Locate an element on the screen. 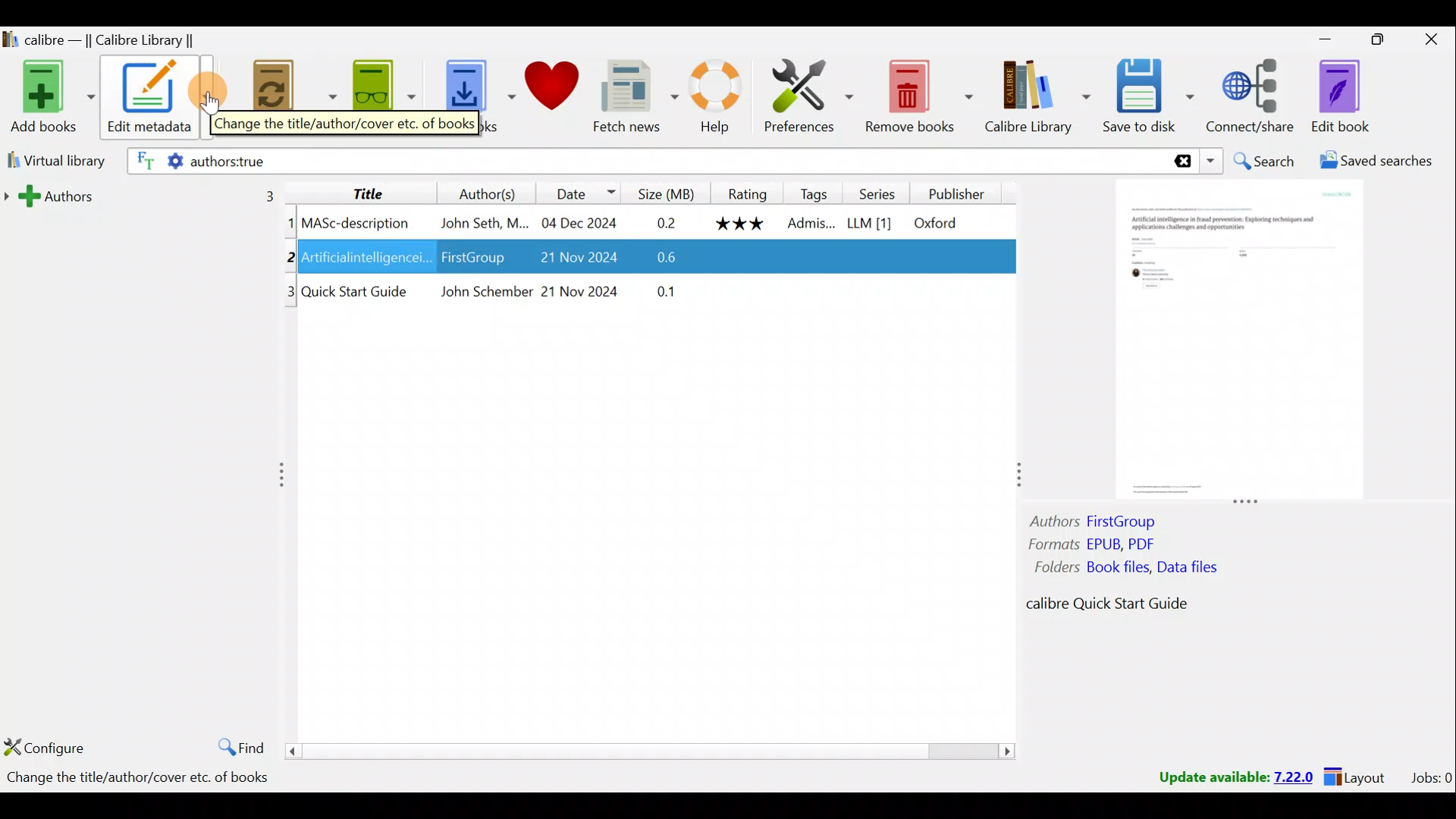 This screenshot has height=819, width=1456. Cursor is located at coordinates (210, 101).